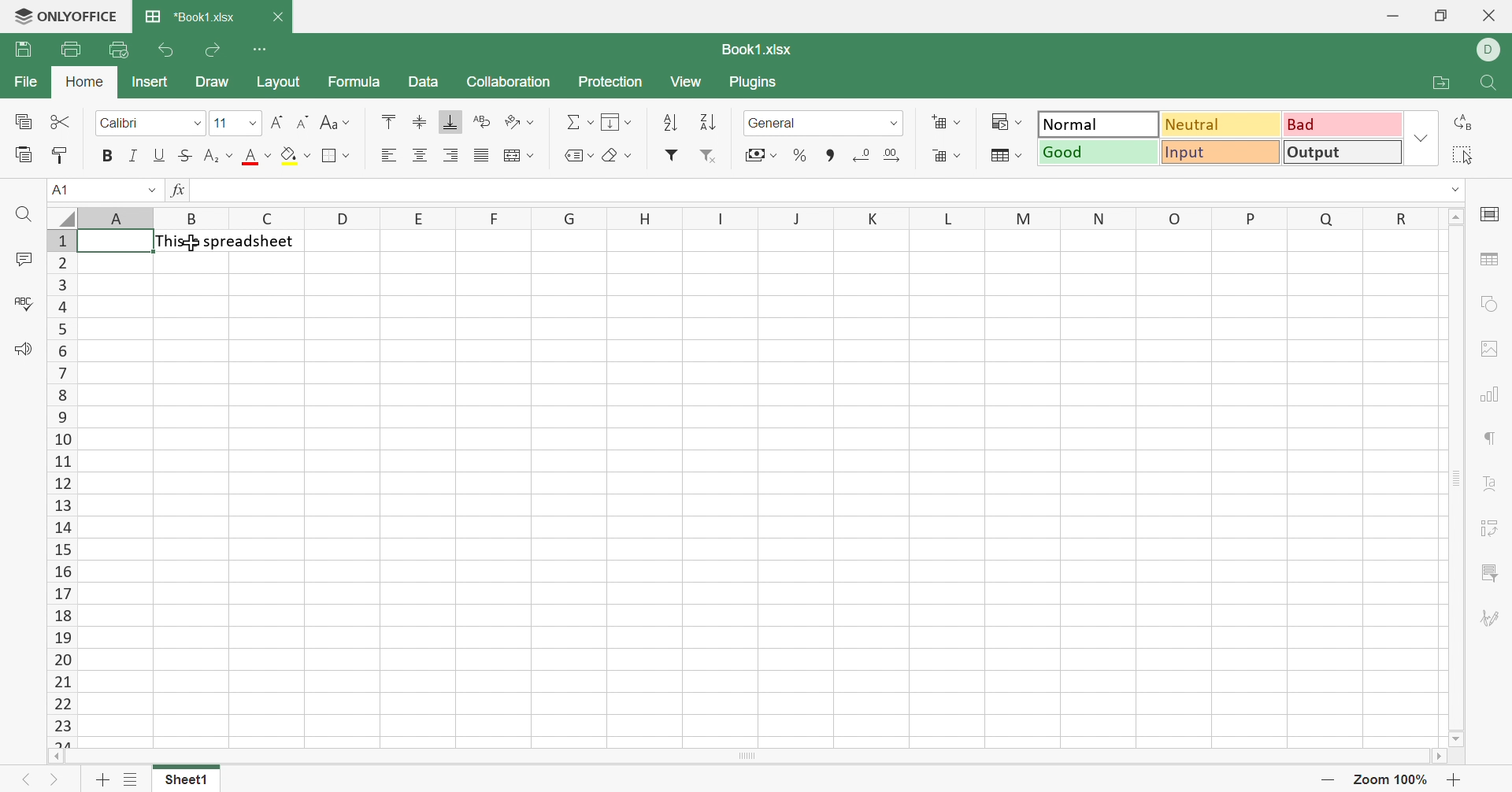 This screenshot has height=792, width=1512. I want to click on General, so click(774, 121).